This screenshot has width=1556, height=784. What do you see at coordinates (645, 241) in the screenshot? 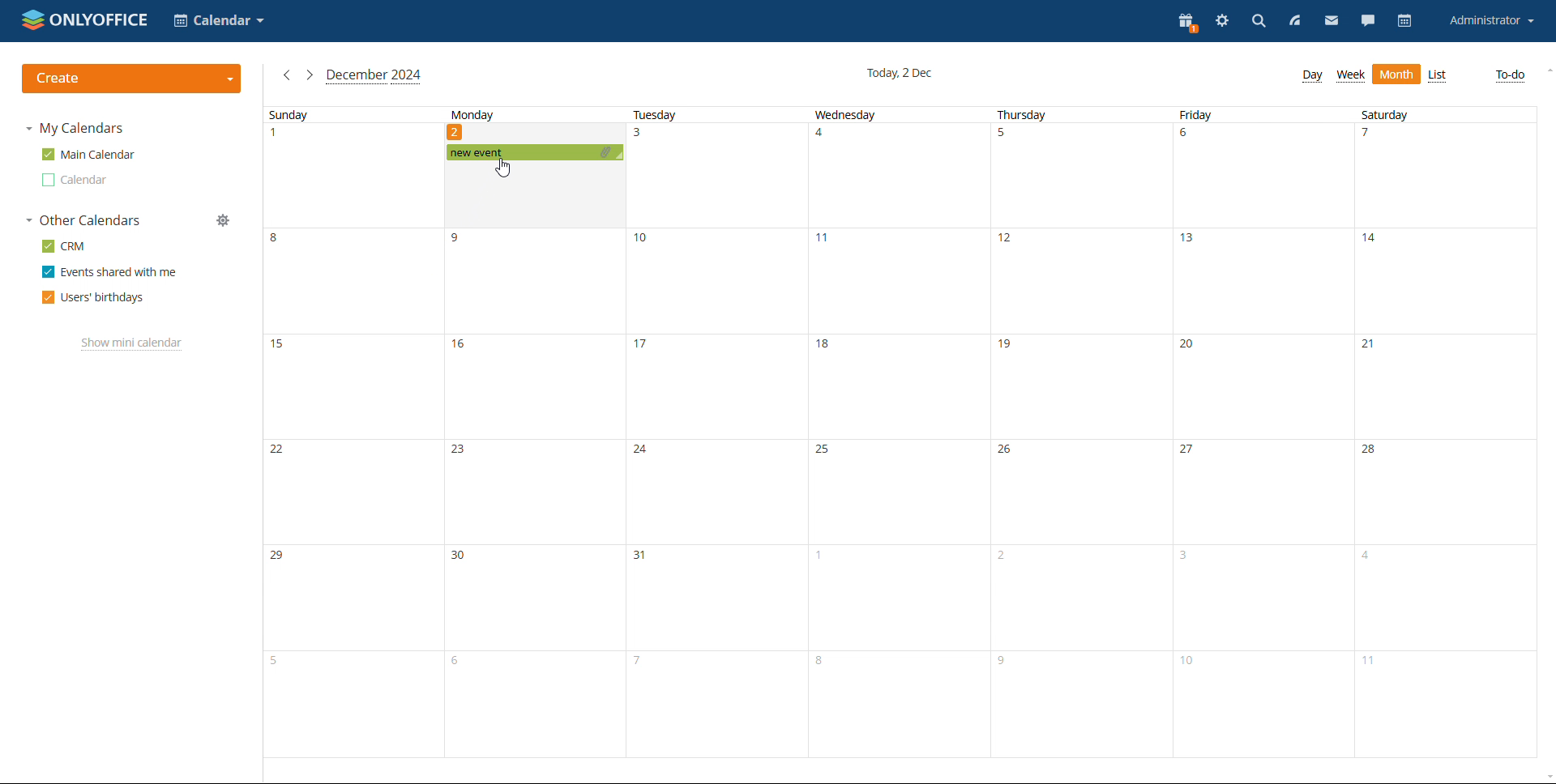
I see `10` at bounding box center [645, 241].